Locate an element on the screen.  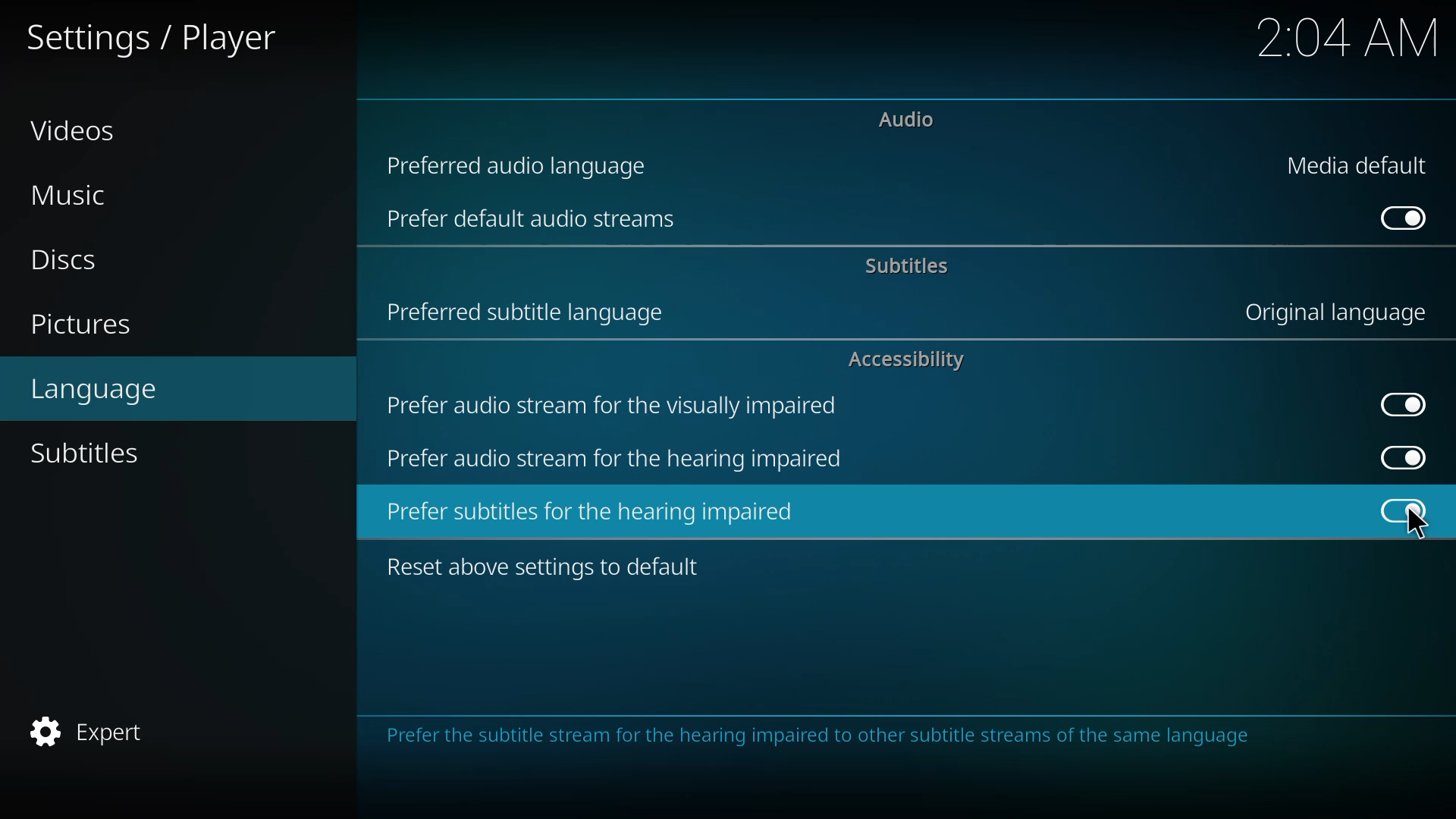
reset to default is located at coordinates (549, 566).